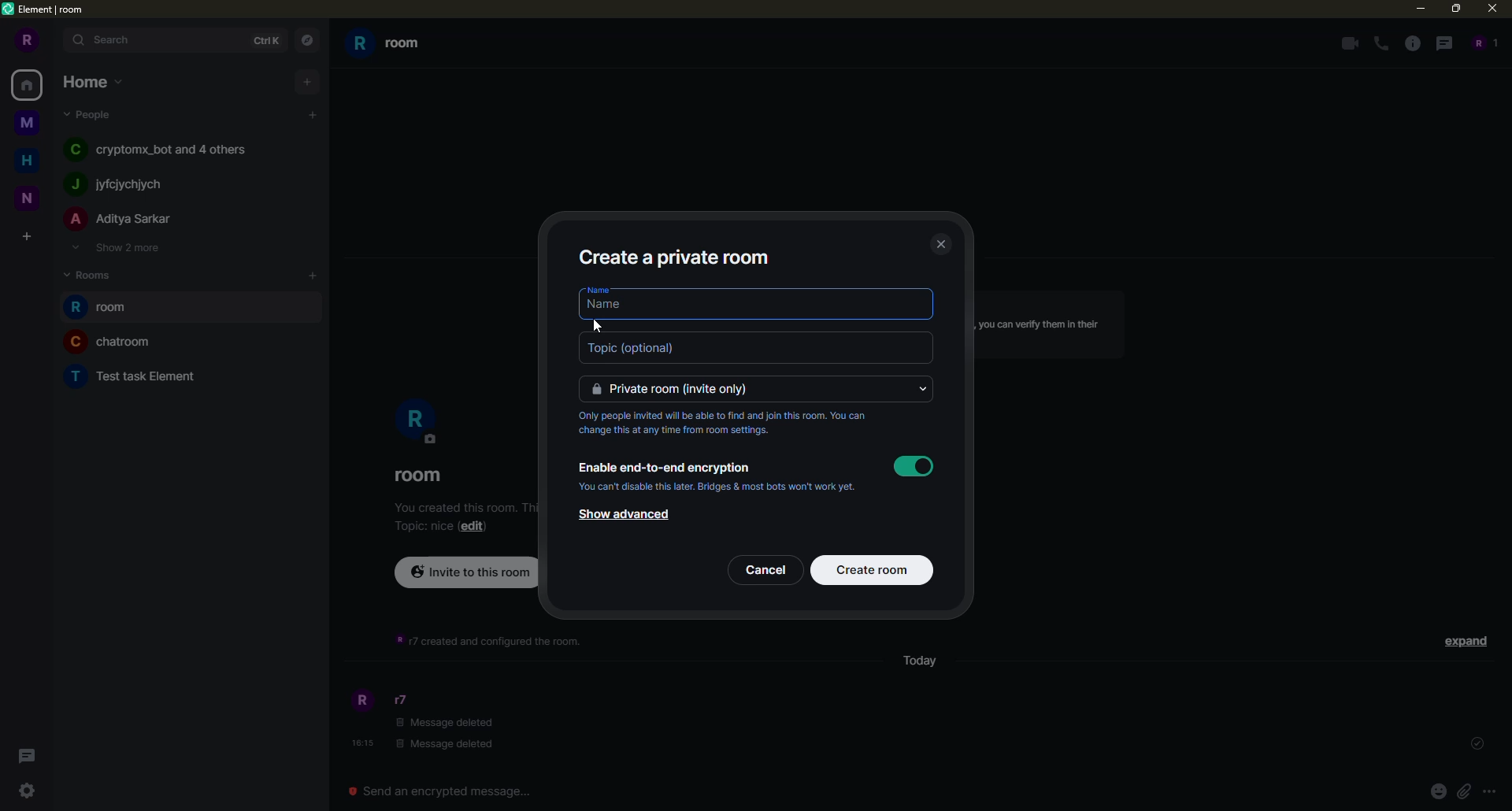 This screenshot has width=1512, height=811. Describe the element at coordinates (728, 424) in the screenshot. I see `info` at that location.